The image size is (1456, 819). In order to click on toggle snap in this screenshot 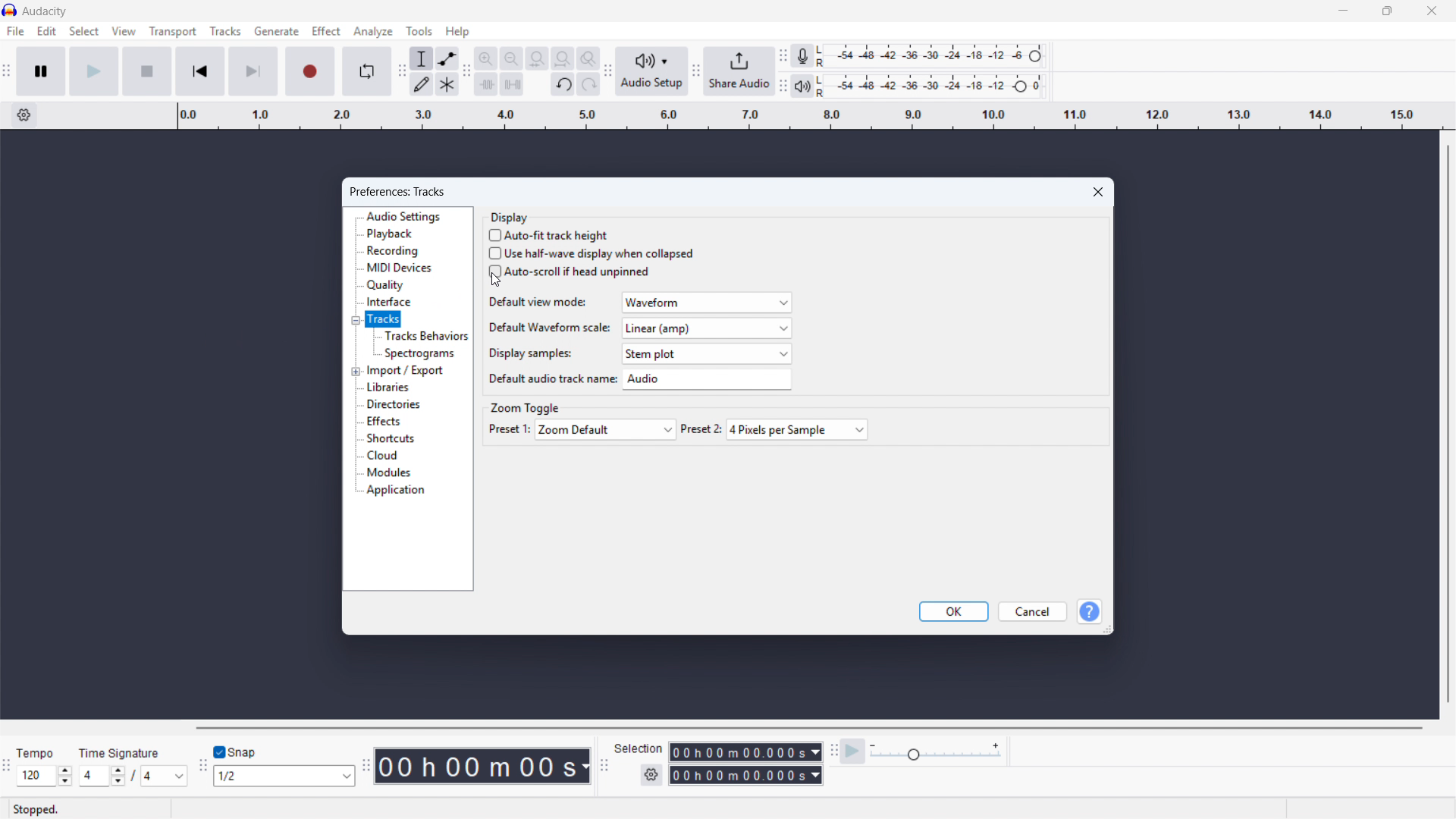, I will do `click(234, 753)`.